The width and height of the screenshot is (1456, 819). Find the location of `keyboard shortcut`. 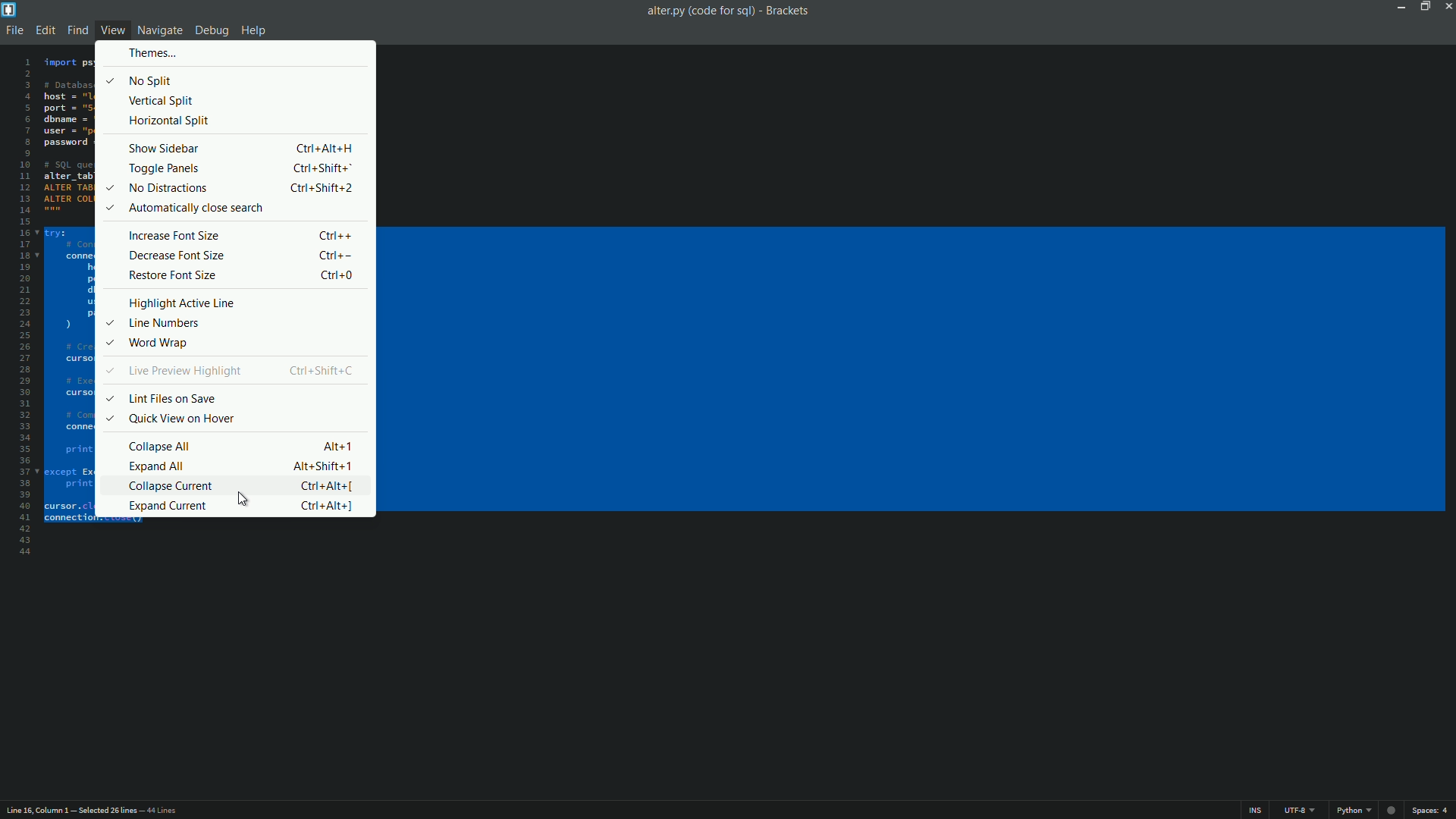

keyboard shortcut is located at coordinates (324, 370).